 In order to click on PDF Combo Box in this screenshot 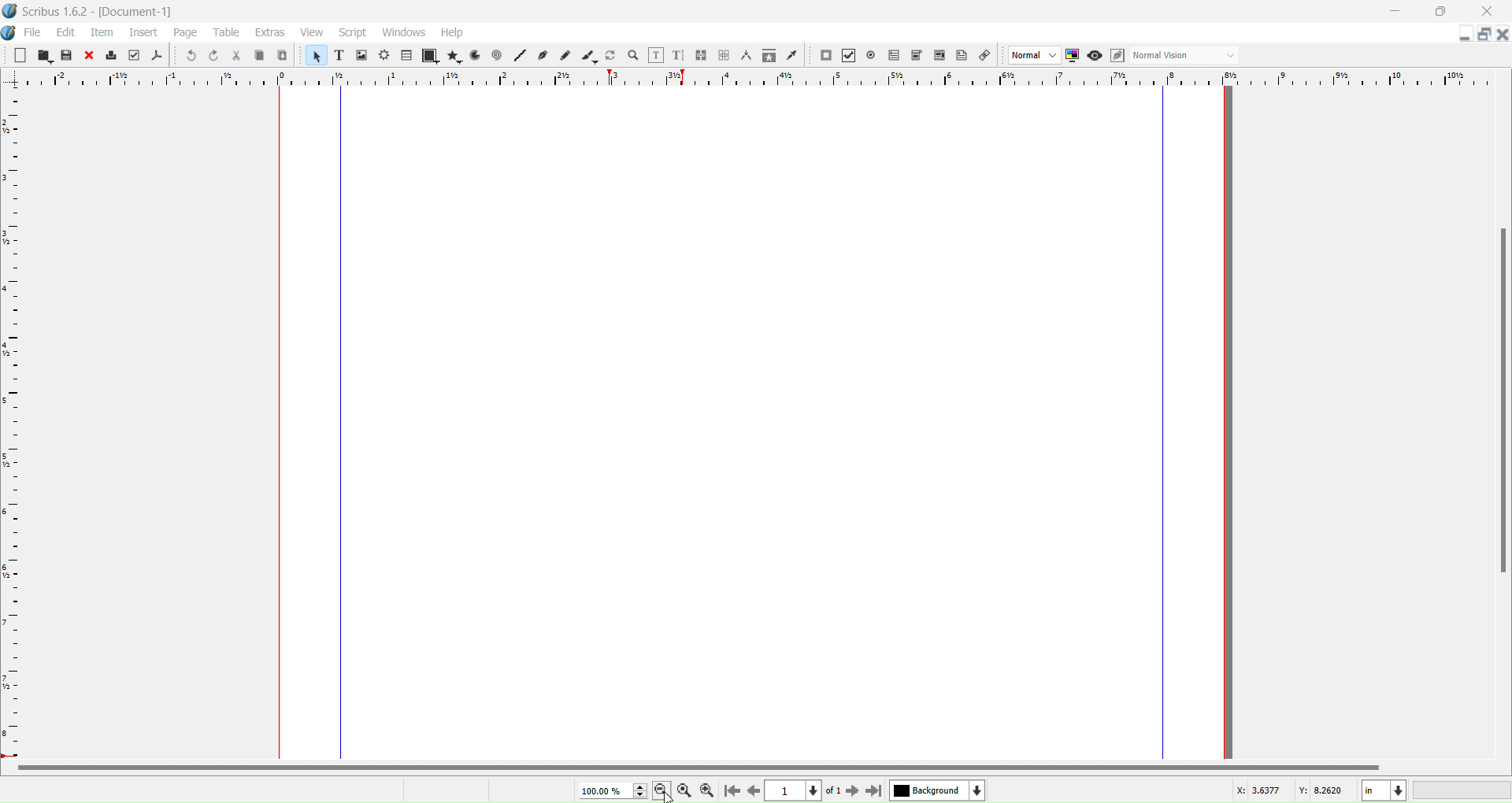, I will do `click(917, 55)`.